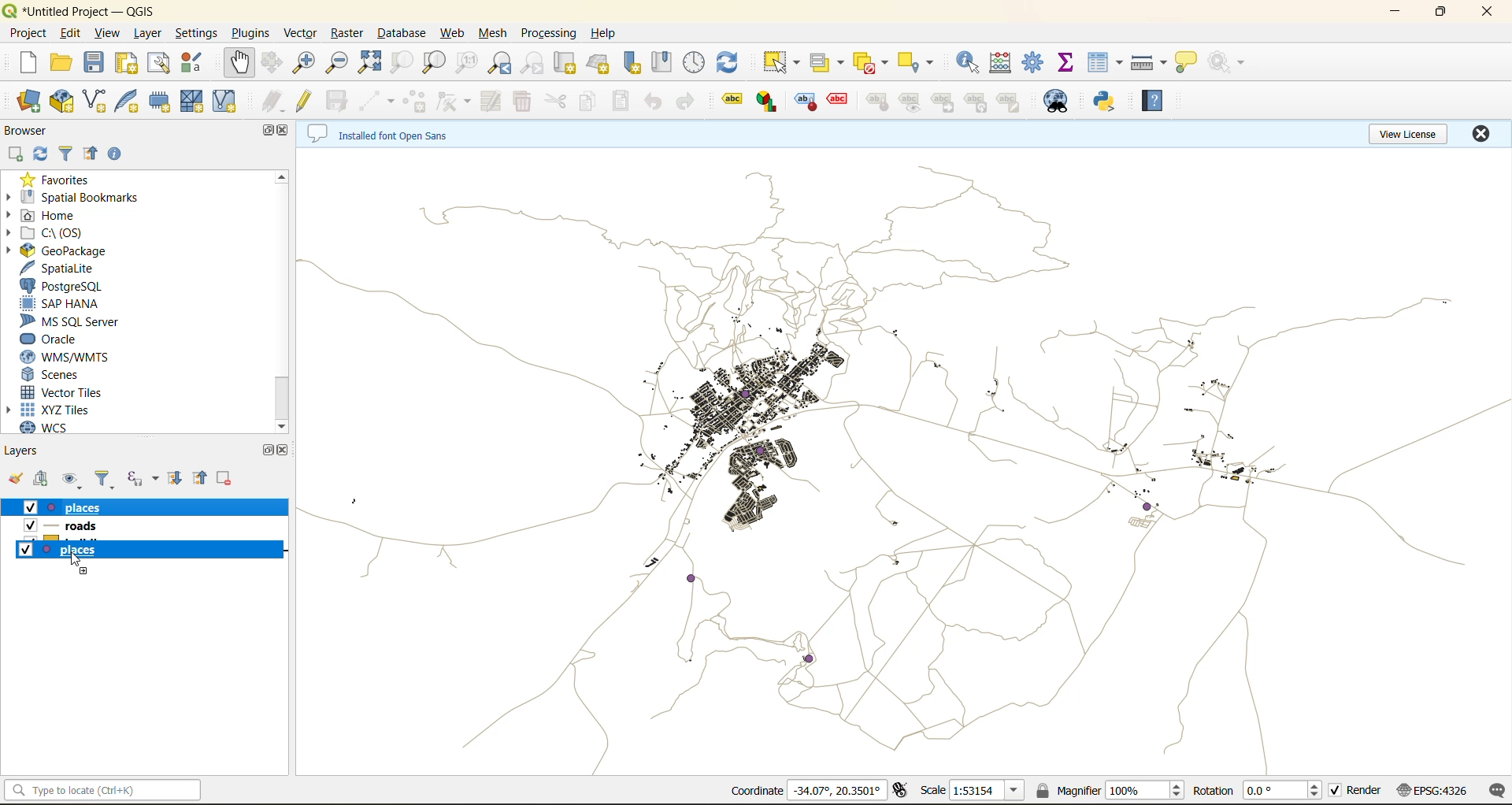  Describe the element at coordinates (899, 792) in the screenshot. I see `toggle extents` at that location.